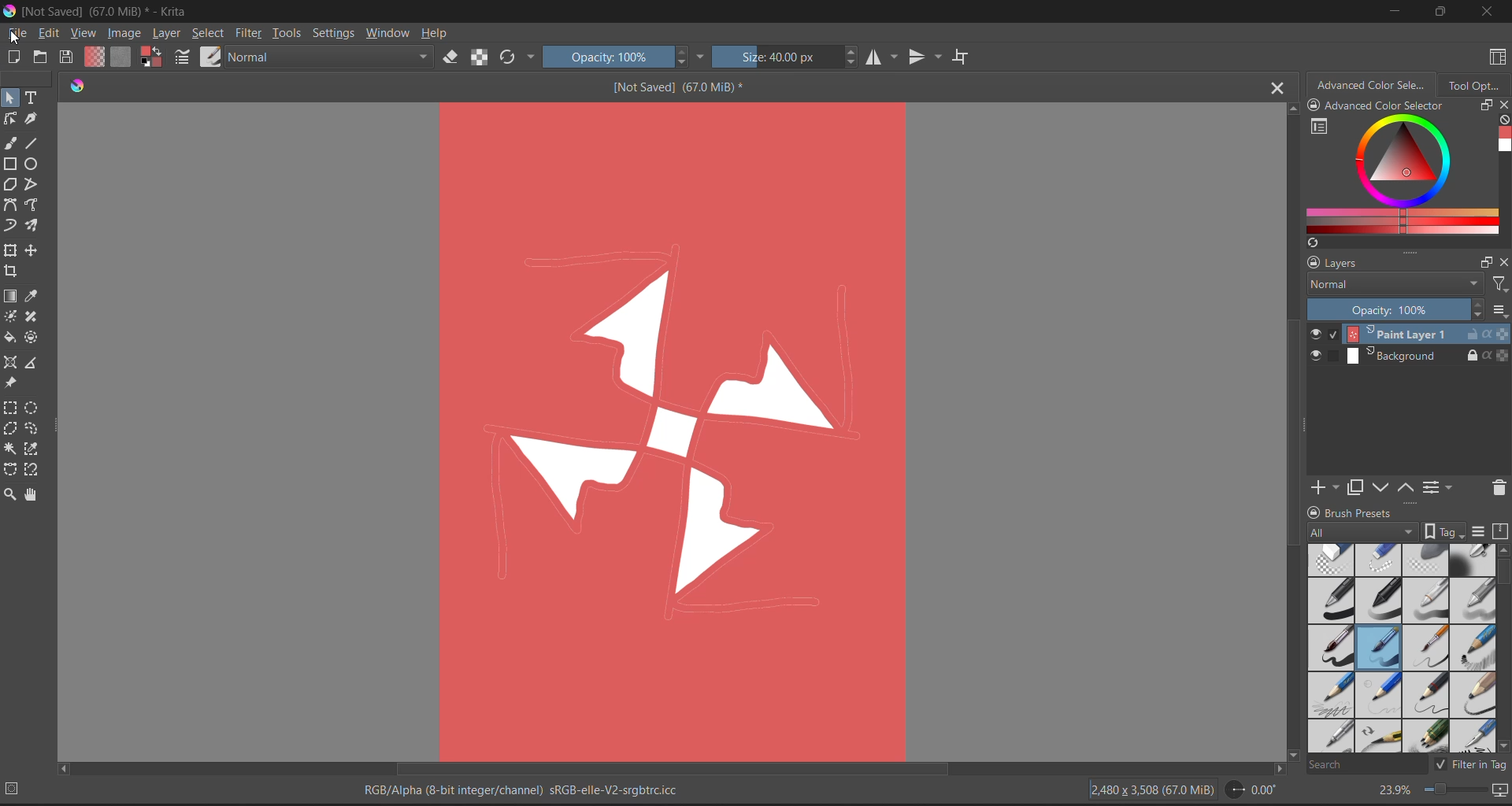  I want to click on preserve alpha, so click(480, 57).